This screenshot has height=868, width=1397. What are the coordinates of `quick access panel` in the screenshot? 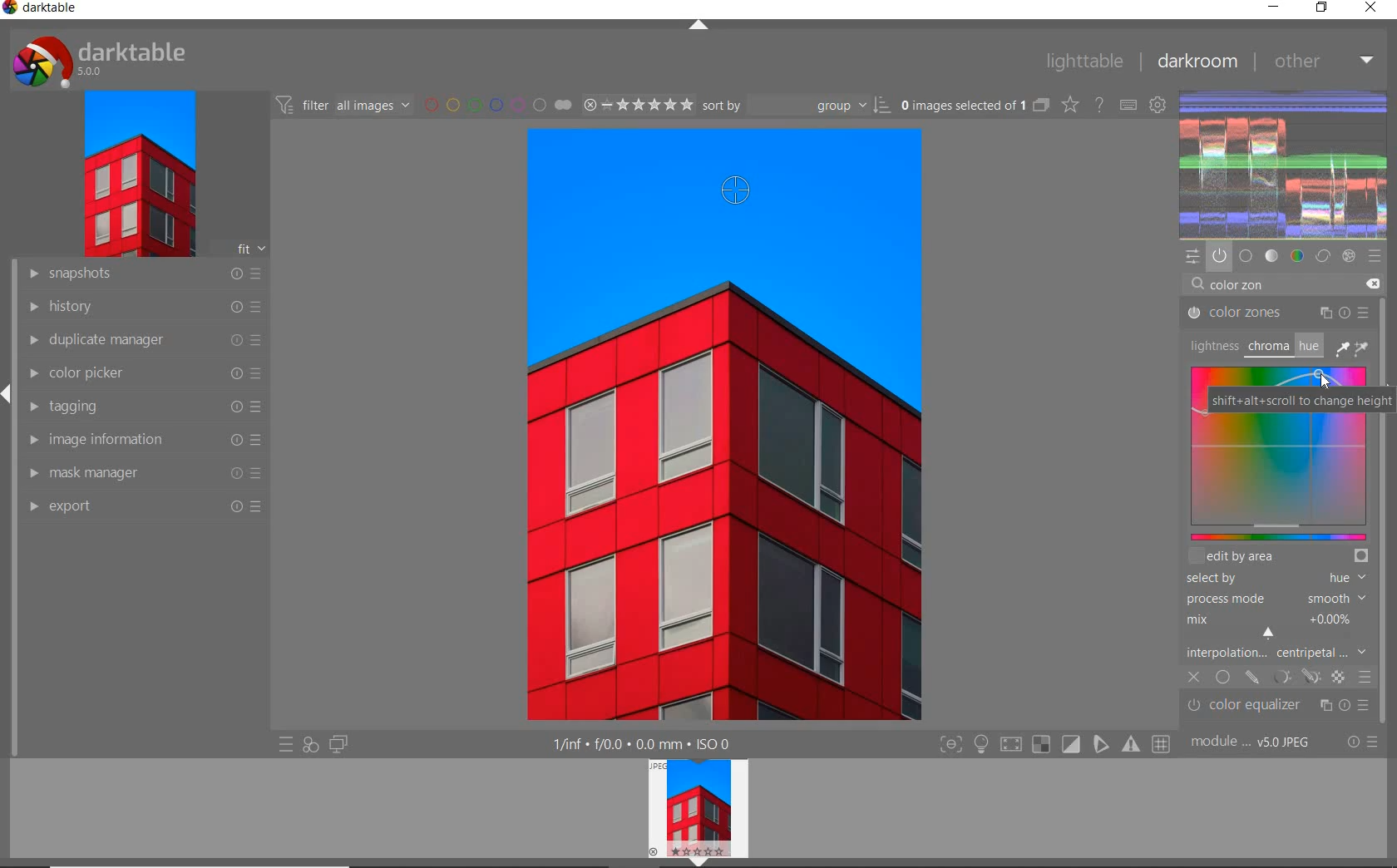 It's located at (1193, 257).